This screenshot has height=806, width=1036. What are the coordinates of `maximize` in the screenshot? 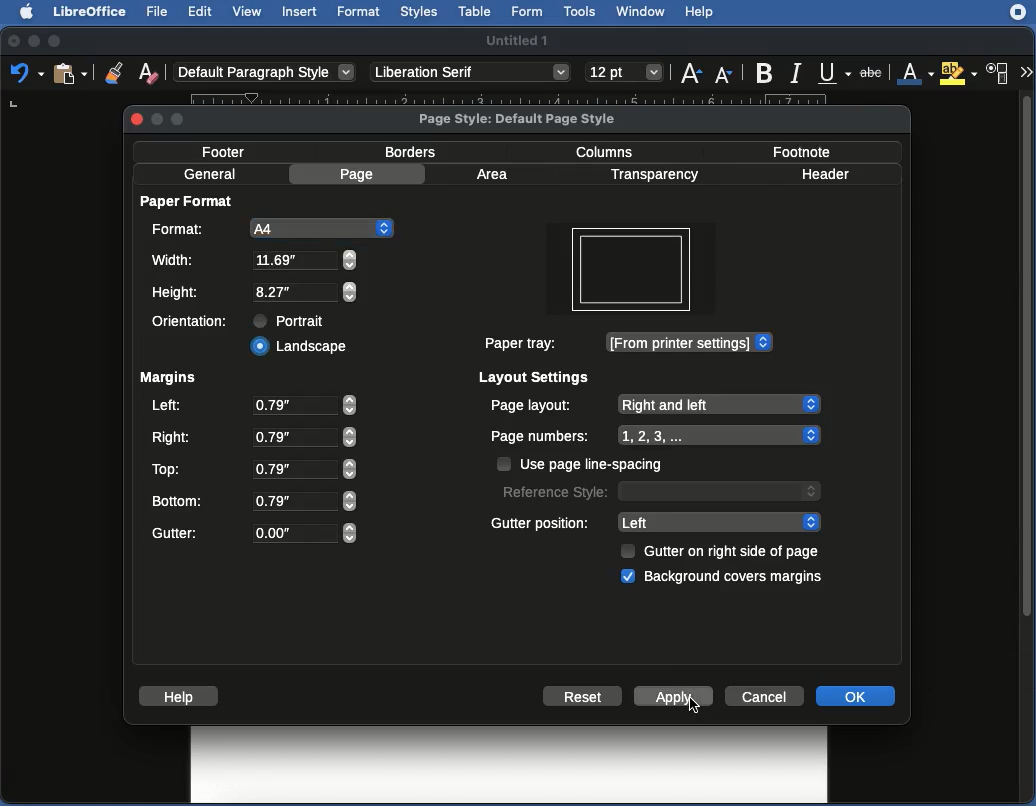 It's located at (182, 121).